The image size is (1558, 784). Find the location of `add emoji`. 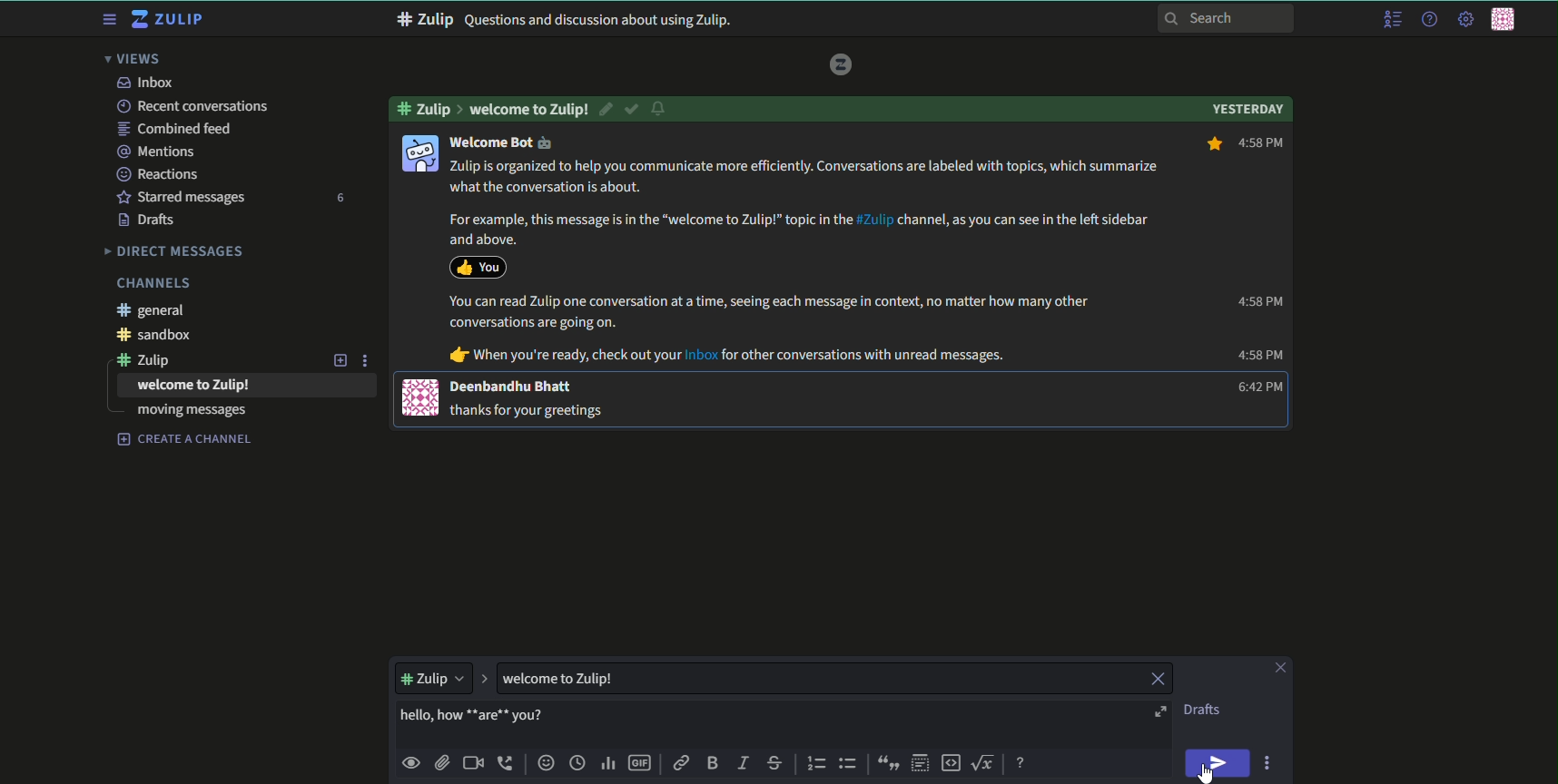

add emoji is located at coordinates (545, 763).